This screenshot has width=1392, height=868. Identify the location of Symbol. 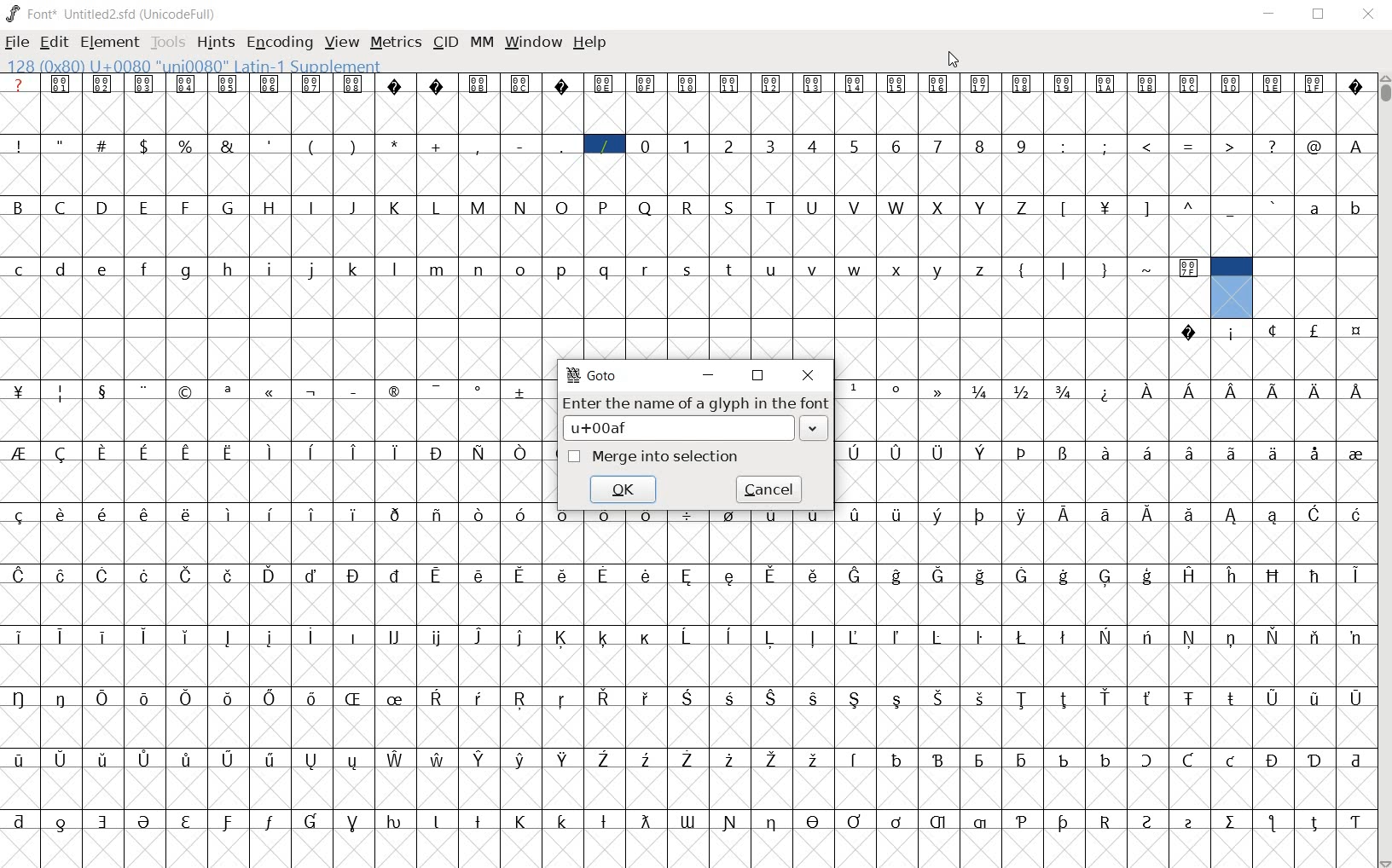
(271, 452).